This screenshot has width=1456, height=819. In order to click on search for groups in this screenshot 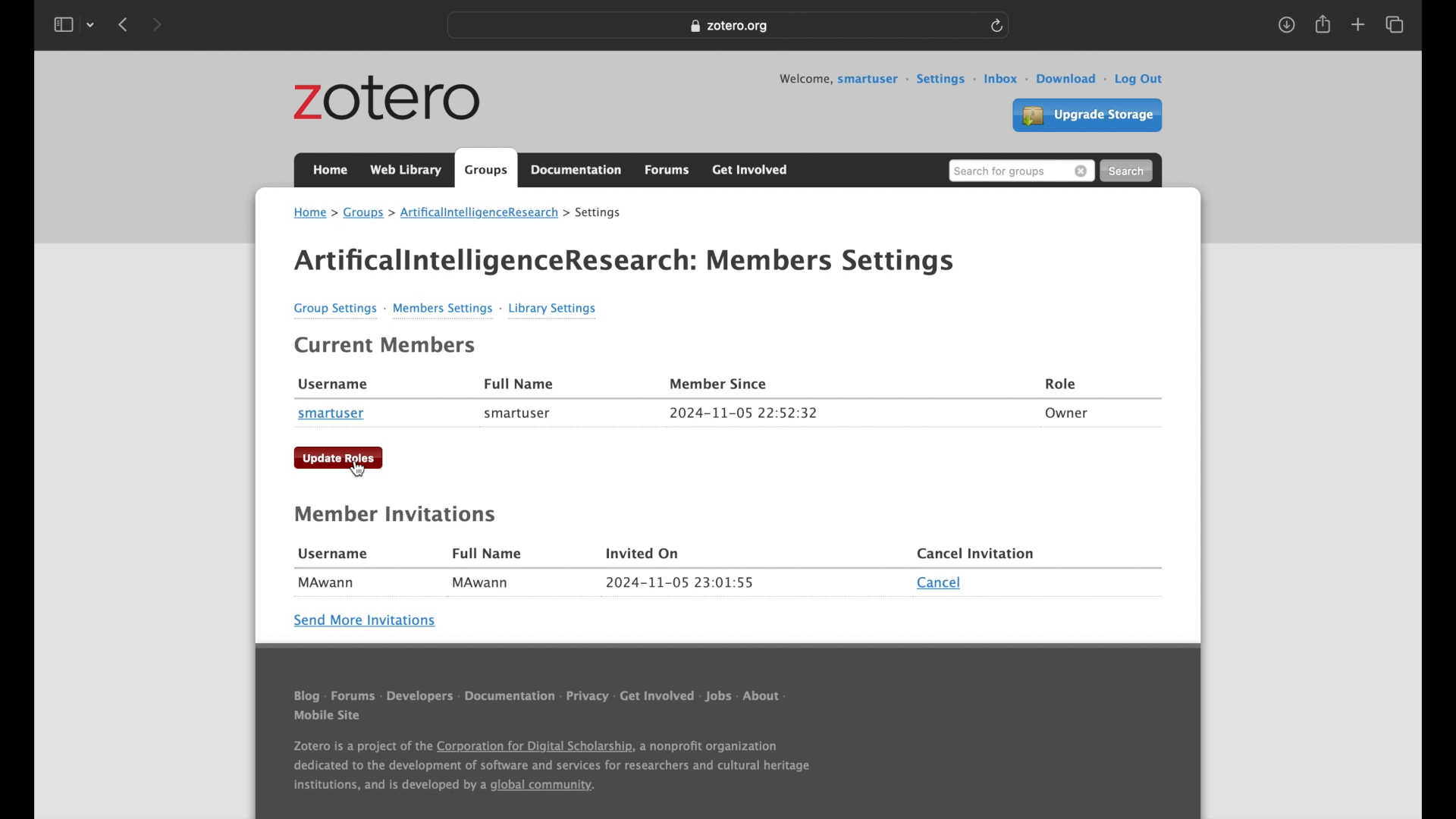, I will do `click(1021, 171)`.